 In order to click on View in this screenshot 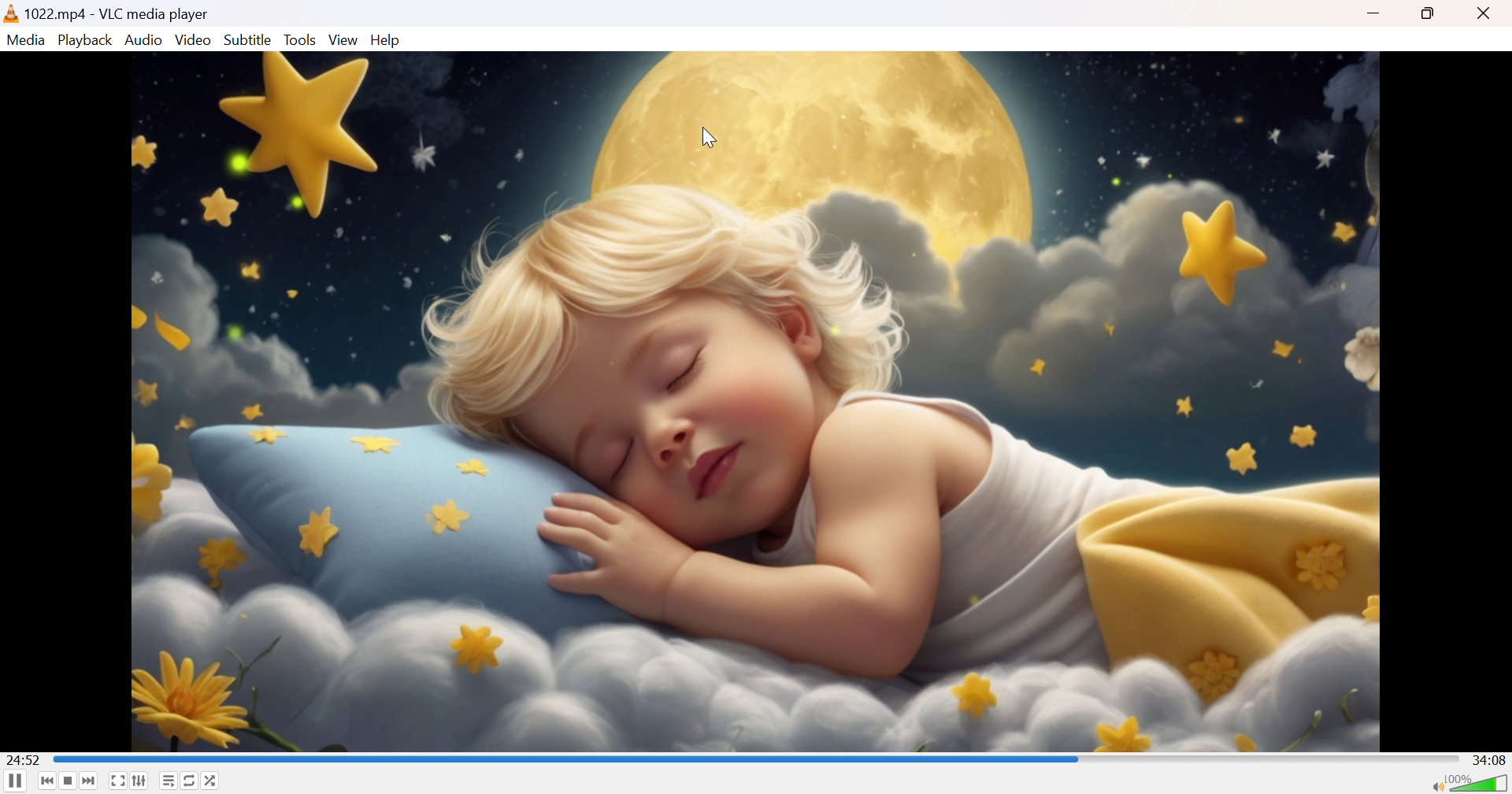, I will do `click(344, 39)`.